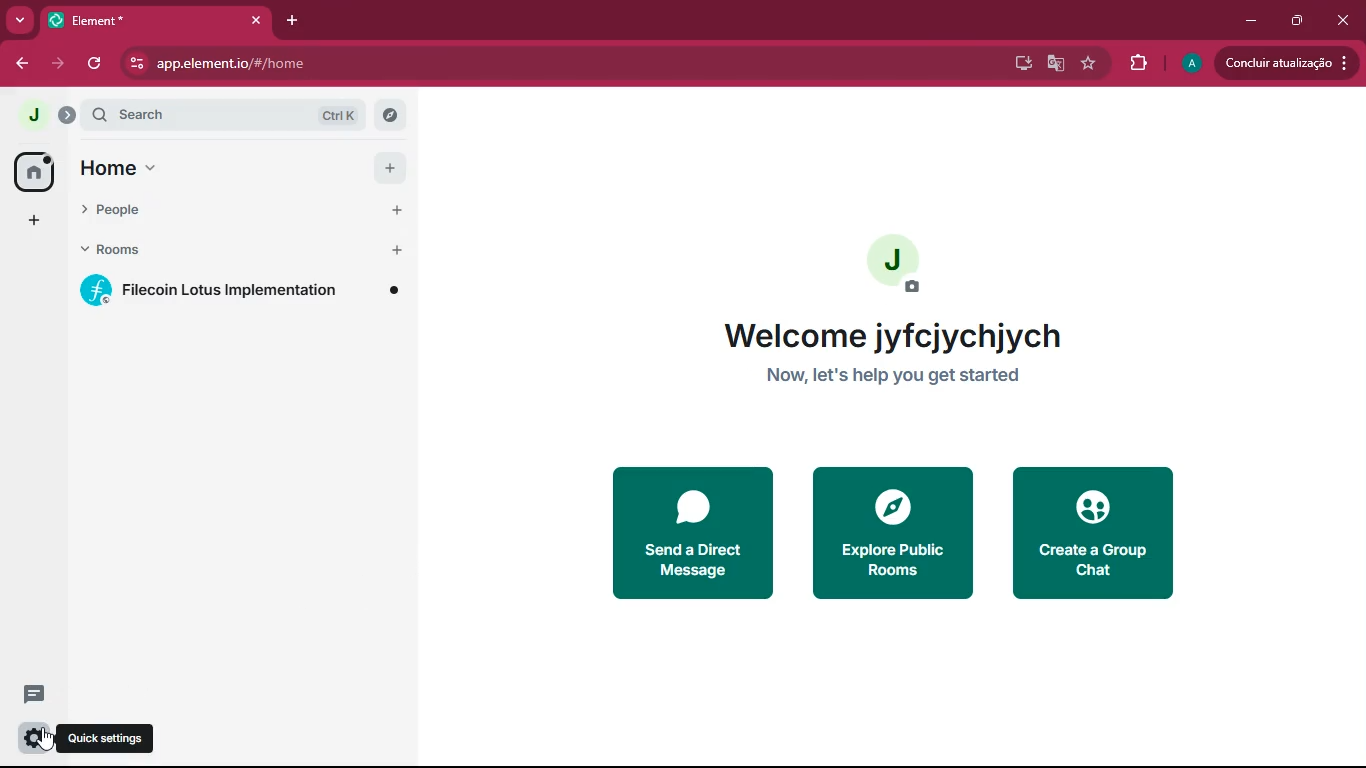 Image resolution: width=1366 pixels, height=768 pixels. Describe the element at coordinates (1089, 64) in the screenshot. I see `favourite` at that location.